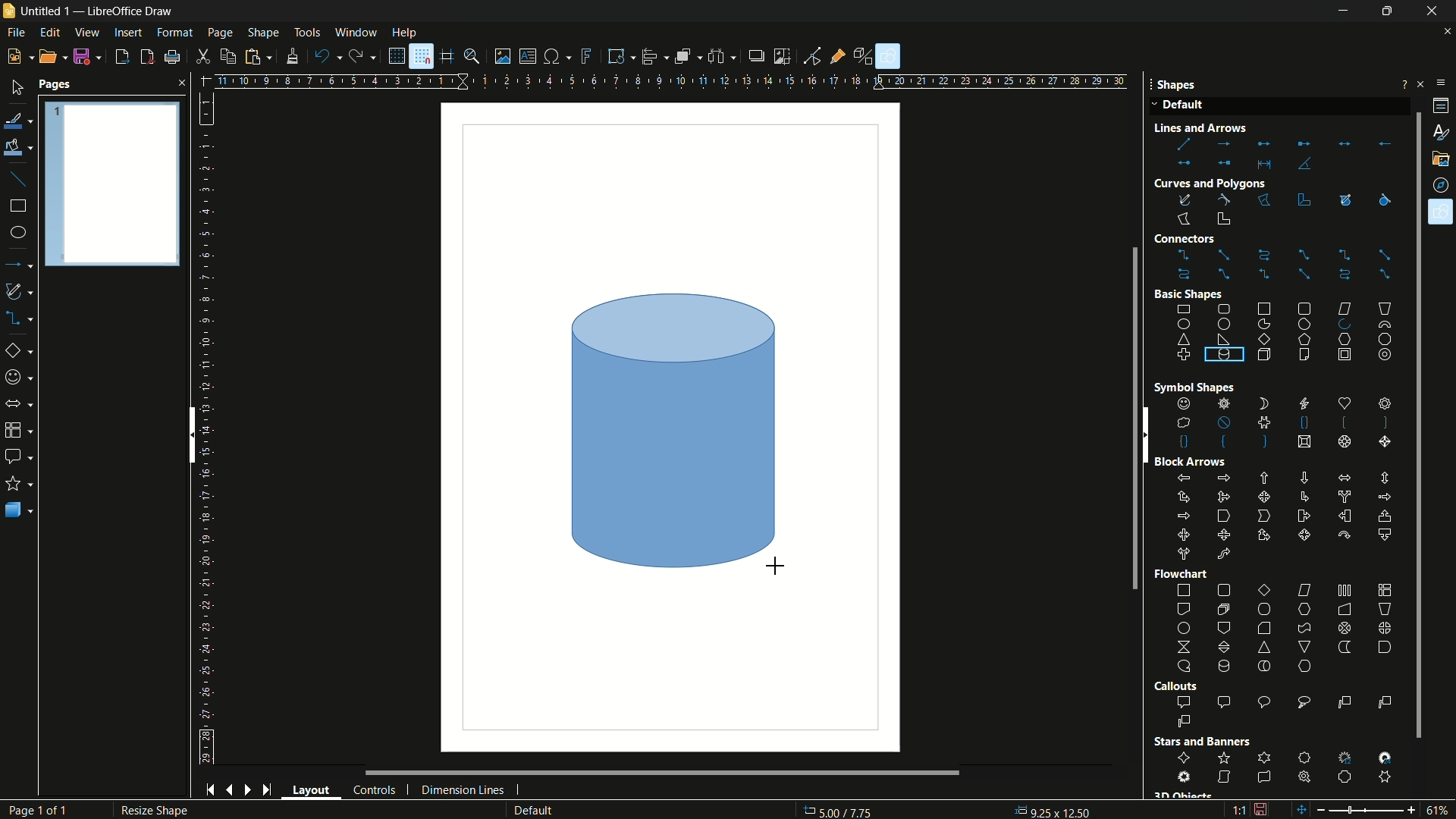  I want to click on symbol shapes, so click(20, 378).